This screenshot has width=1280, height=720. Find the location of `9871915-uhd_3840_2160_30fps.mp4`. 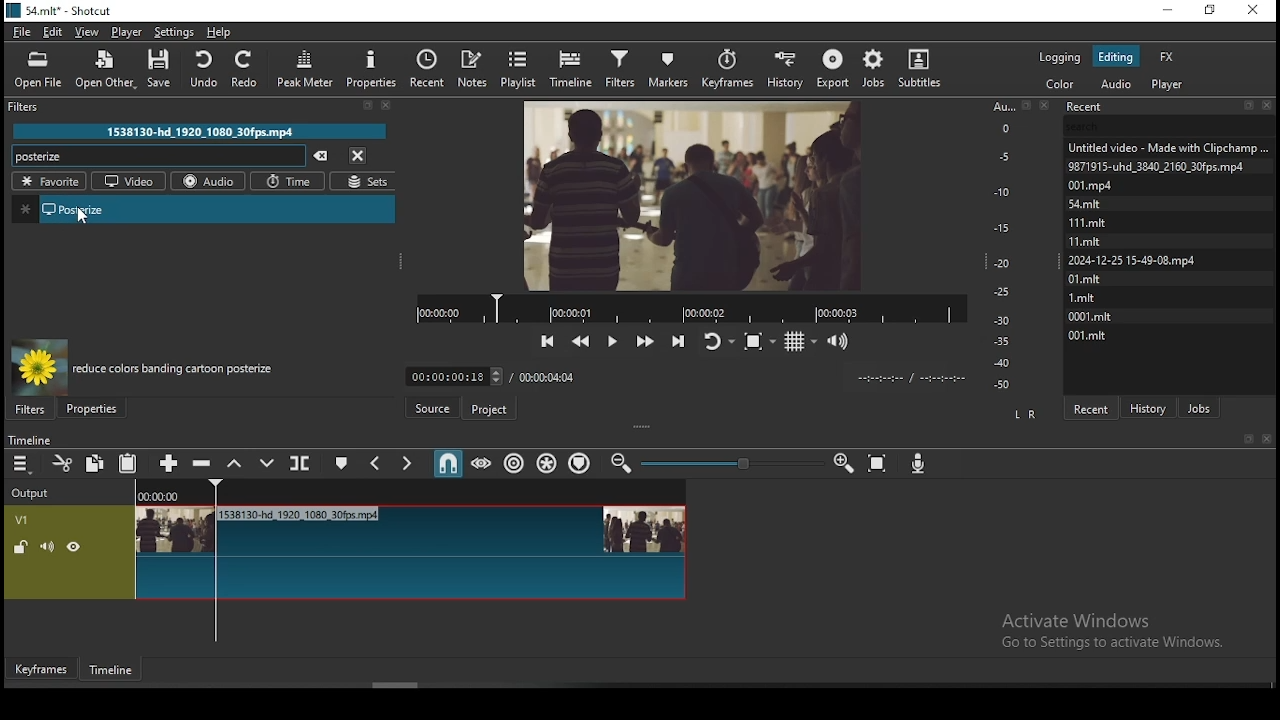

9871915-uhd_3840_2160_30fps.mp4 is located at coordinates (1162, 167).